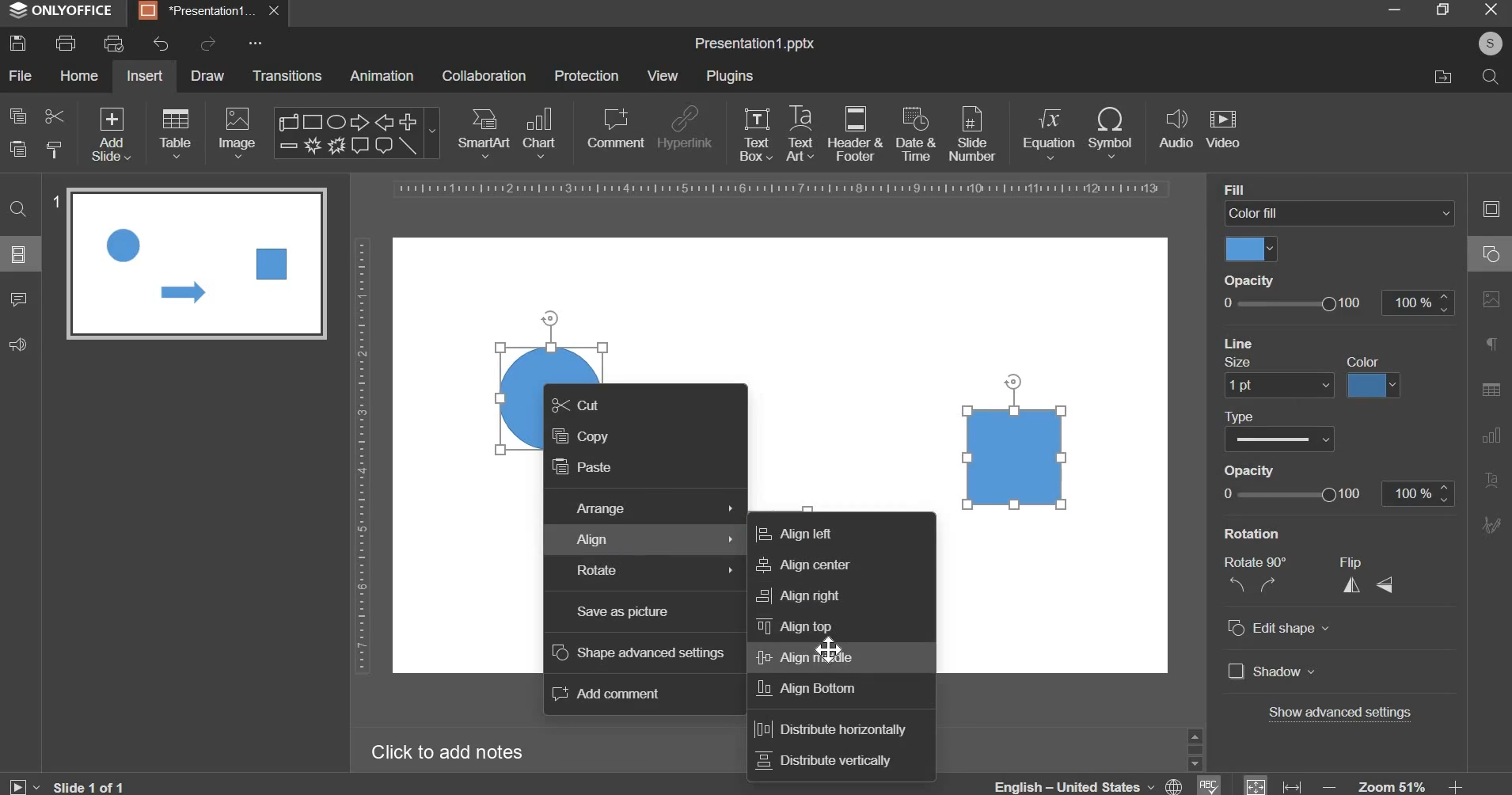 The height and width of the screenshot is (795, 1512). I want to click on flip, so click(1360, 561).